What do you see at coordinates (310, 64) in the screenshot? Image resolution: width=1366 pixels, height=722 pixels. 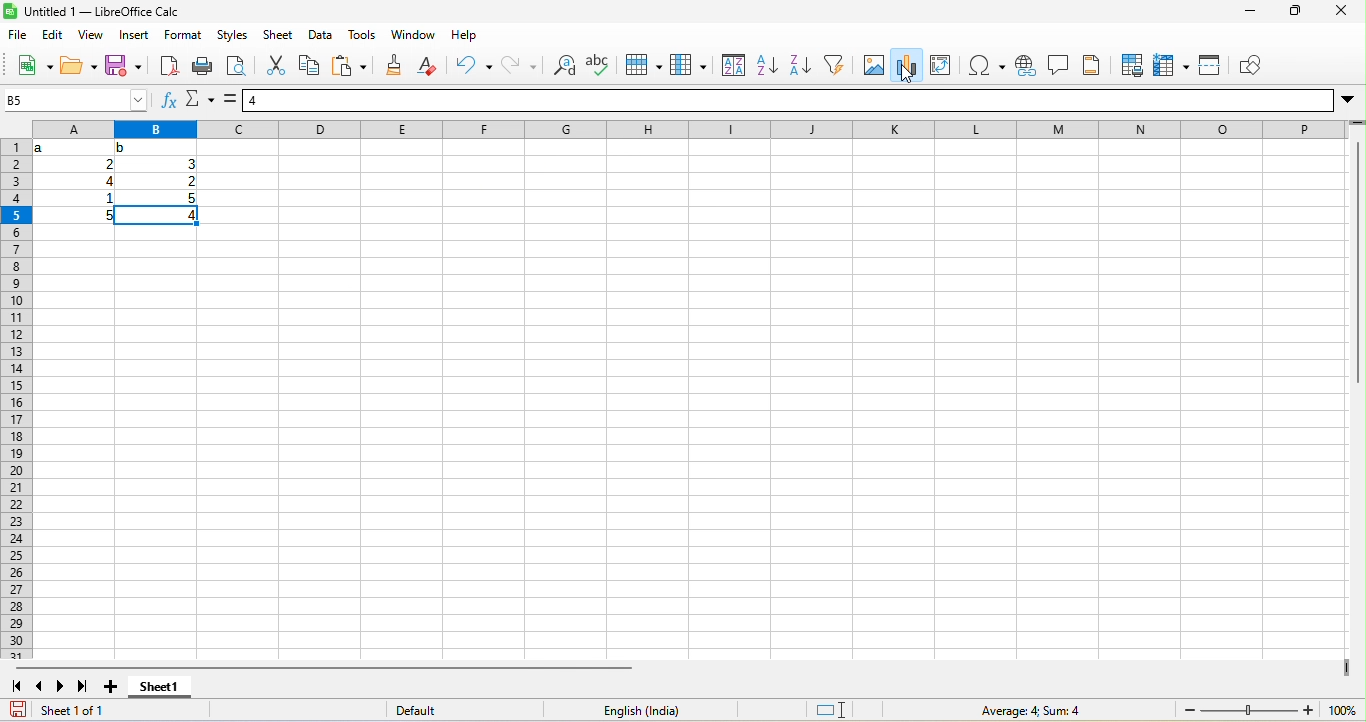 I see `copy` at bounding box center [310, 64].